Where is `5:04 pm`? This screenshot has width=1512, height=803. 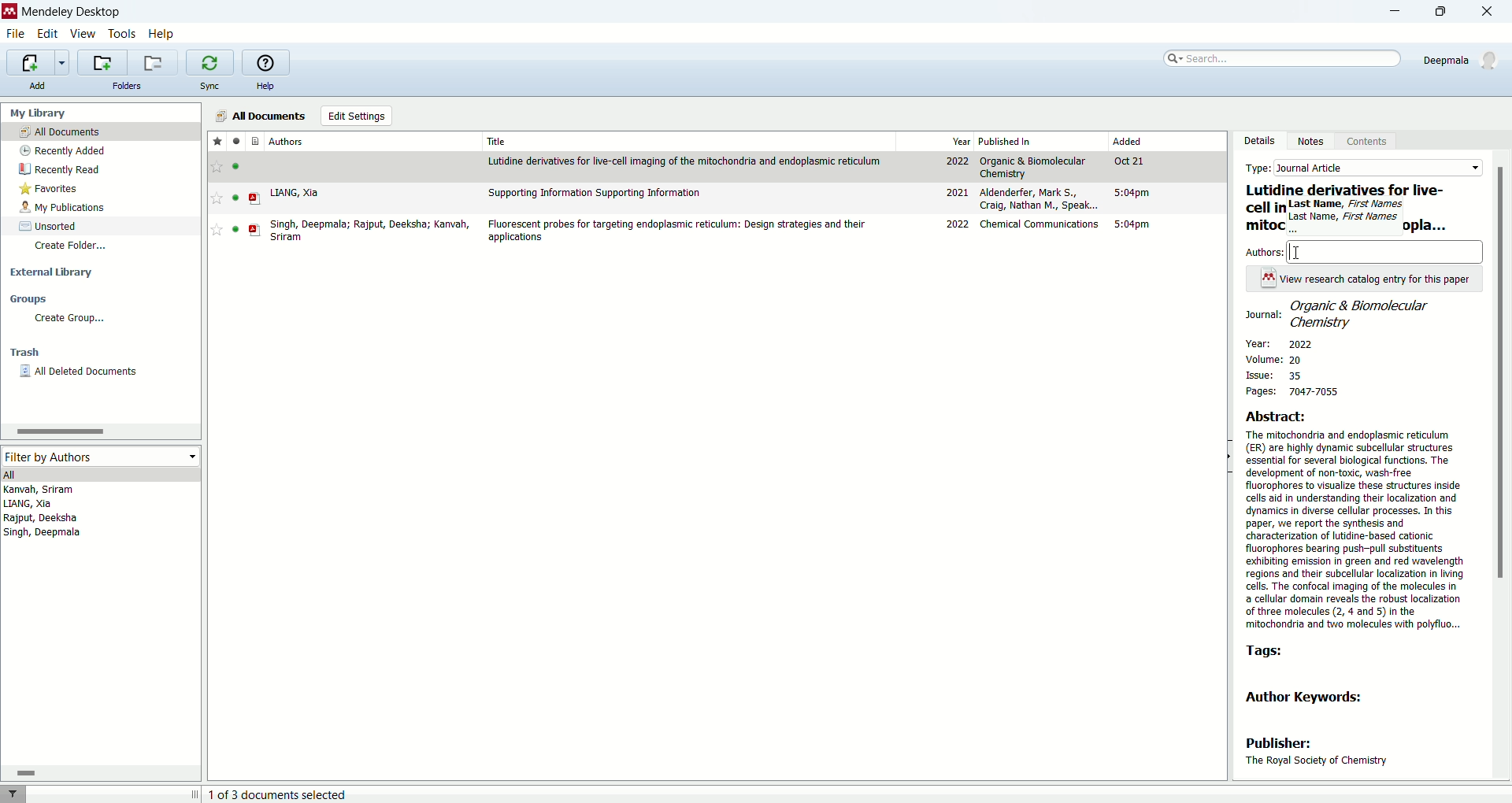
5:04 pm is located at coordinates (1137, 225).